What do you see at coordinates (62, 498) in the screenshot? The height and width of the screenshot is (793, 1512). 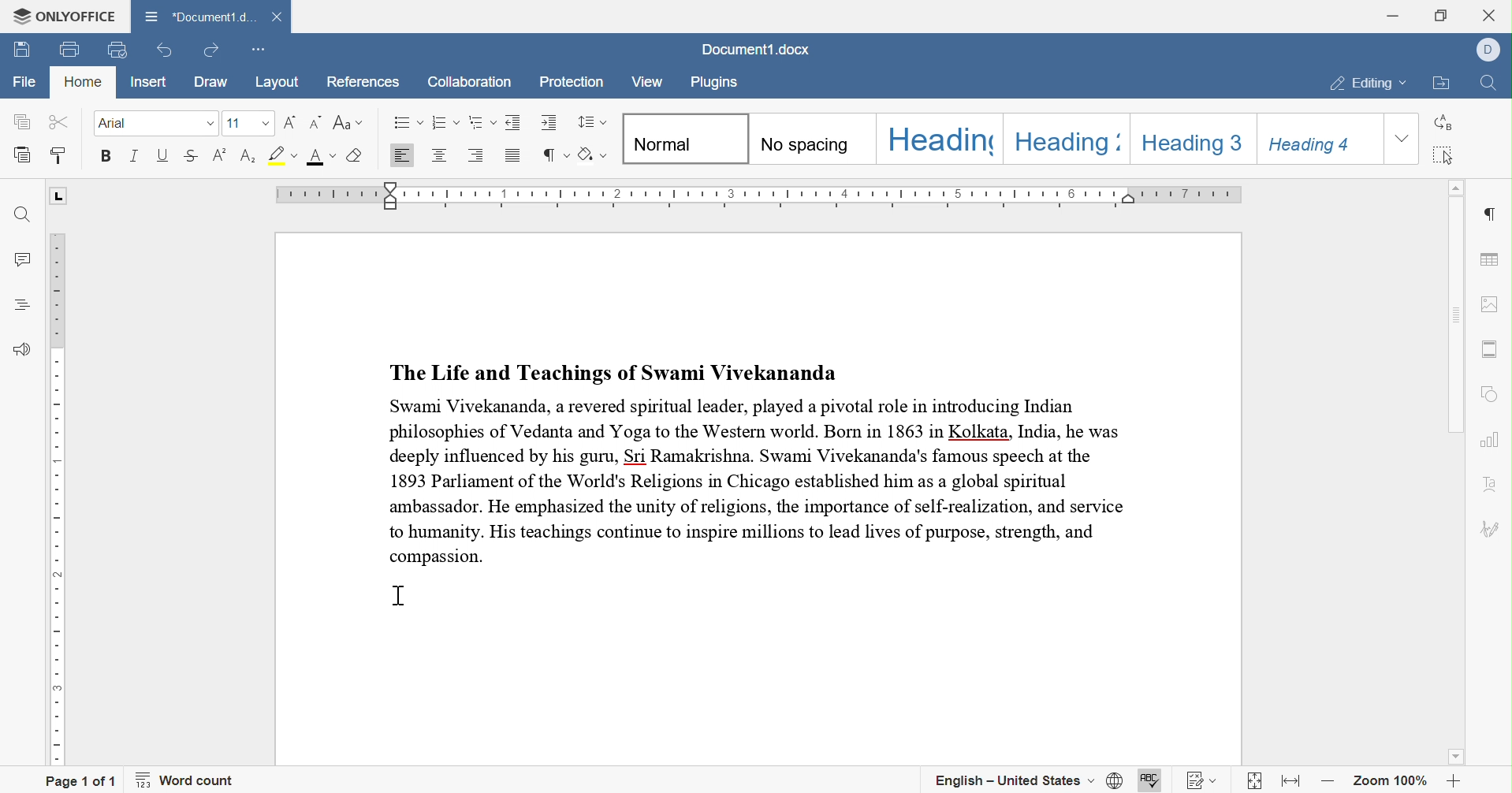 I see `ruler` at bounding box center [62, 498].